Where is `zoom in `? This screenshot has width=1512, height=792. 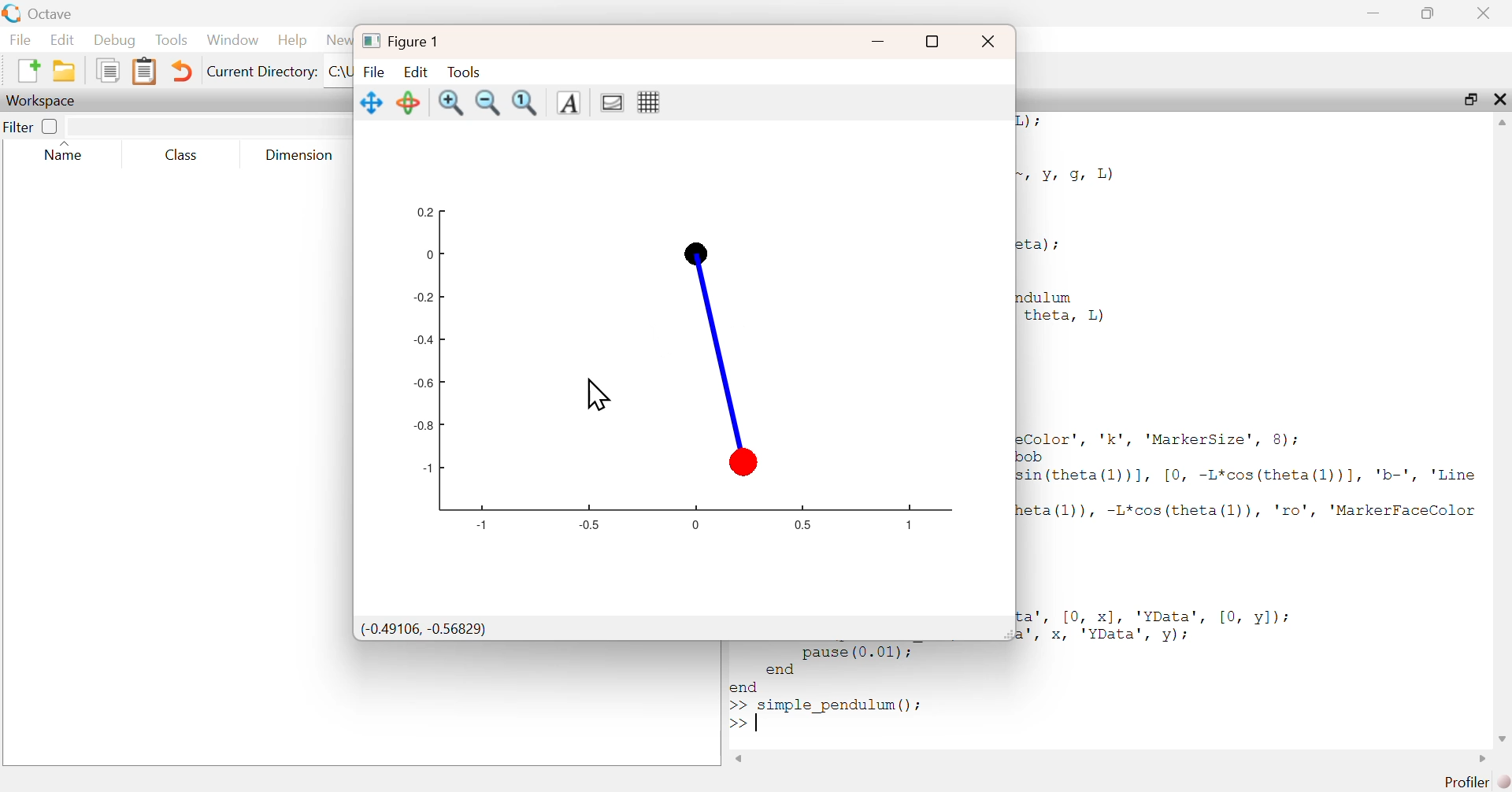
zoom in  is located at coordinates (449, 104).